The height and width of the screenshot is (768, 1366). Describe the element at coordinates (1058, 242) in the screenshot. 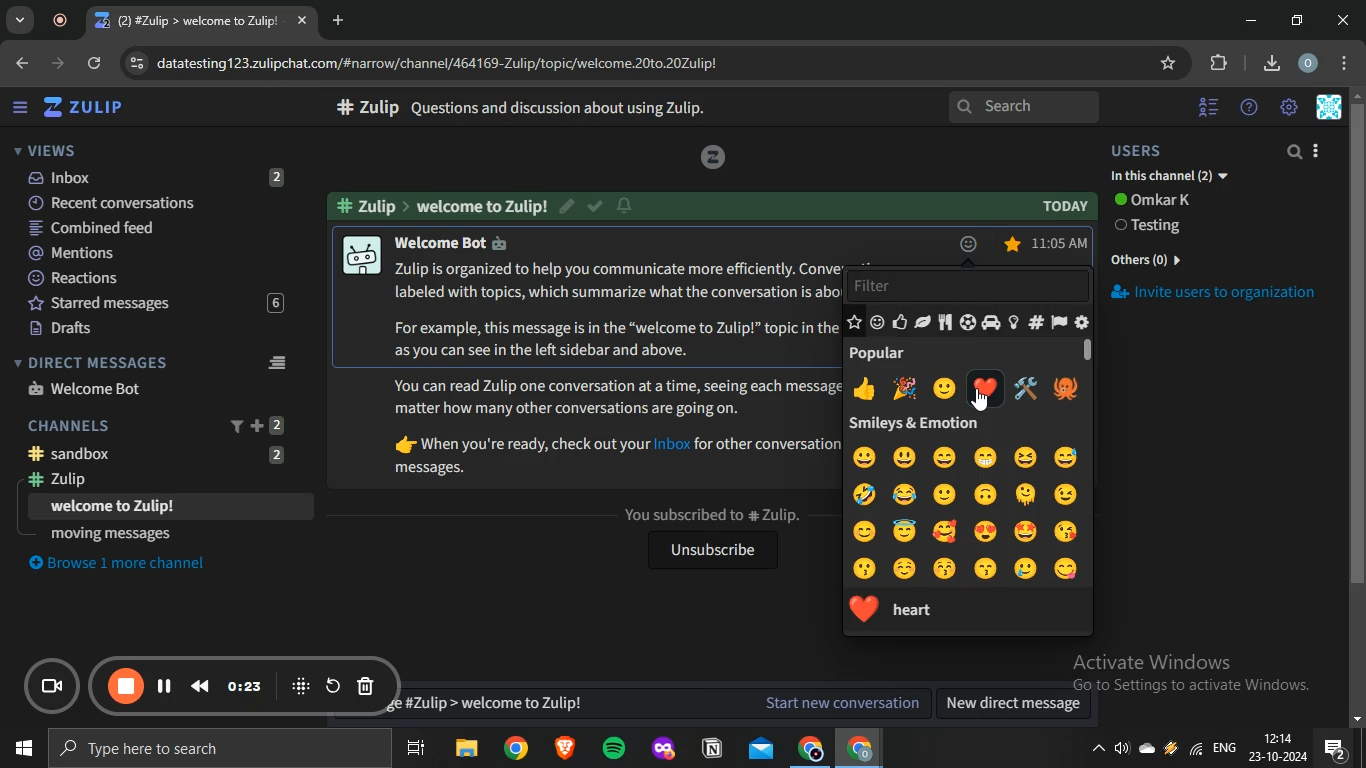

I see `time` at that location.